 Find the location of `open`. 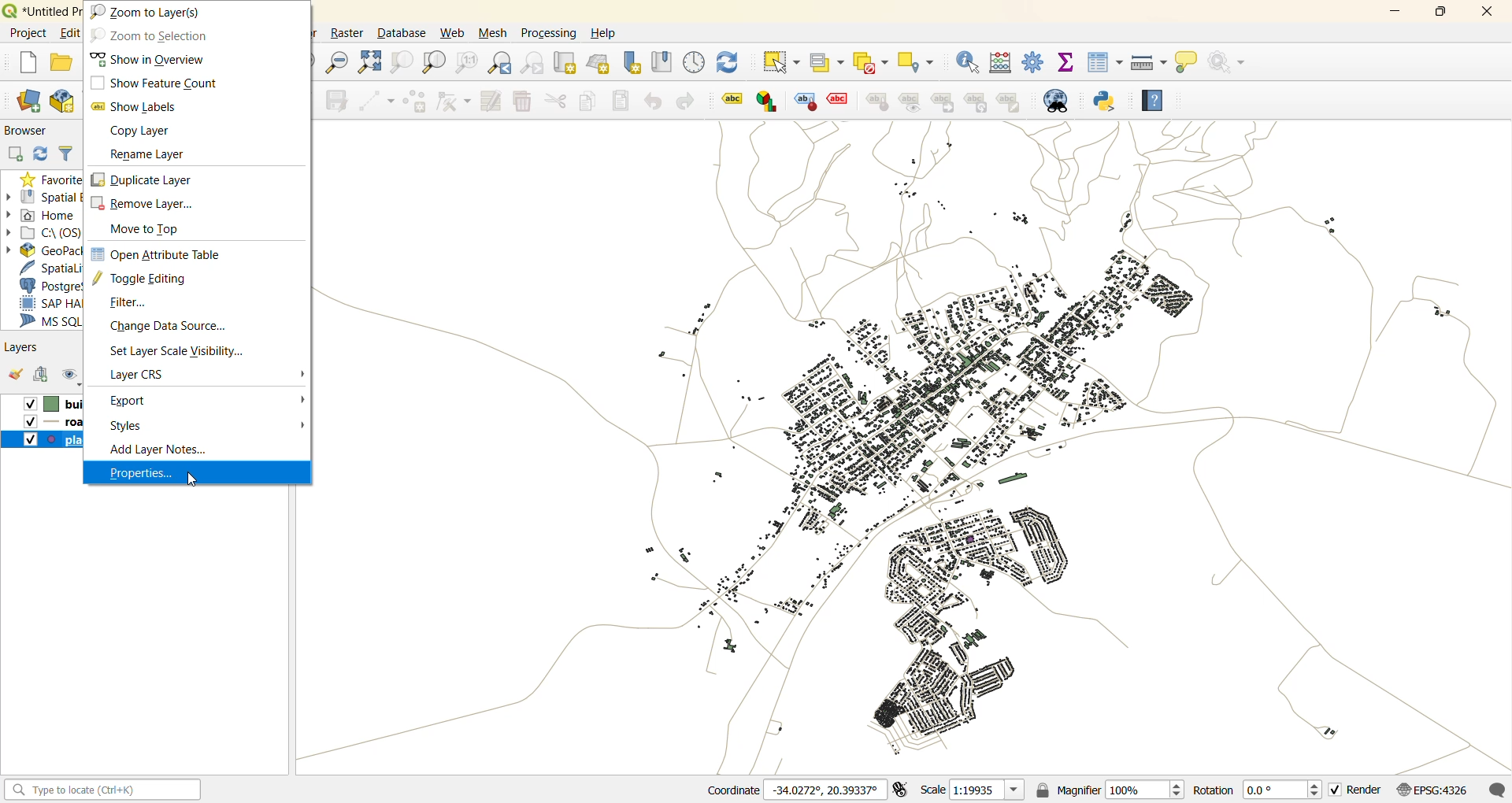

open is located at coordinates (64, 65).